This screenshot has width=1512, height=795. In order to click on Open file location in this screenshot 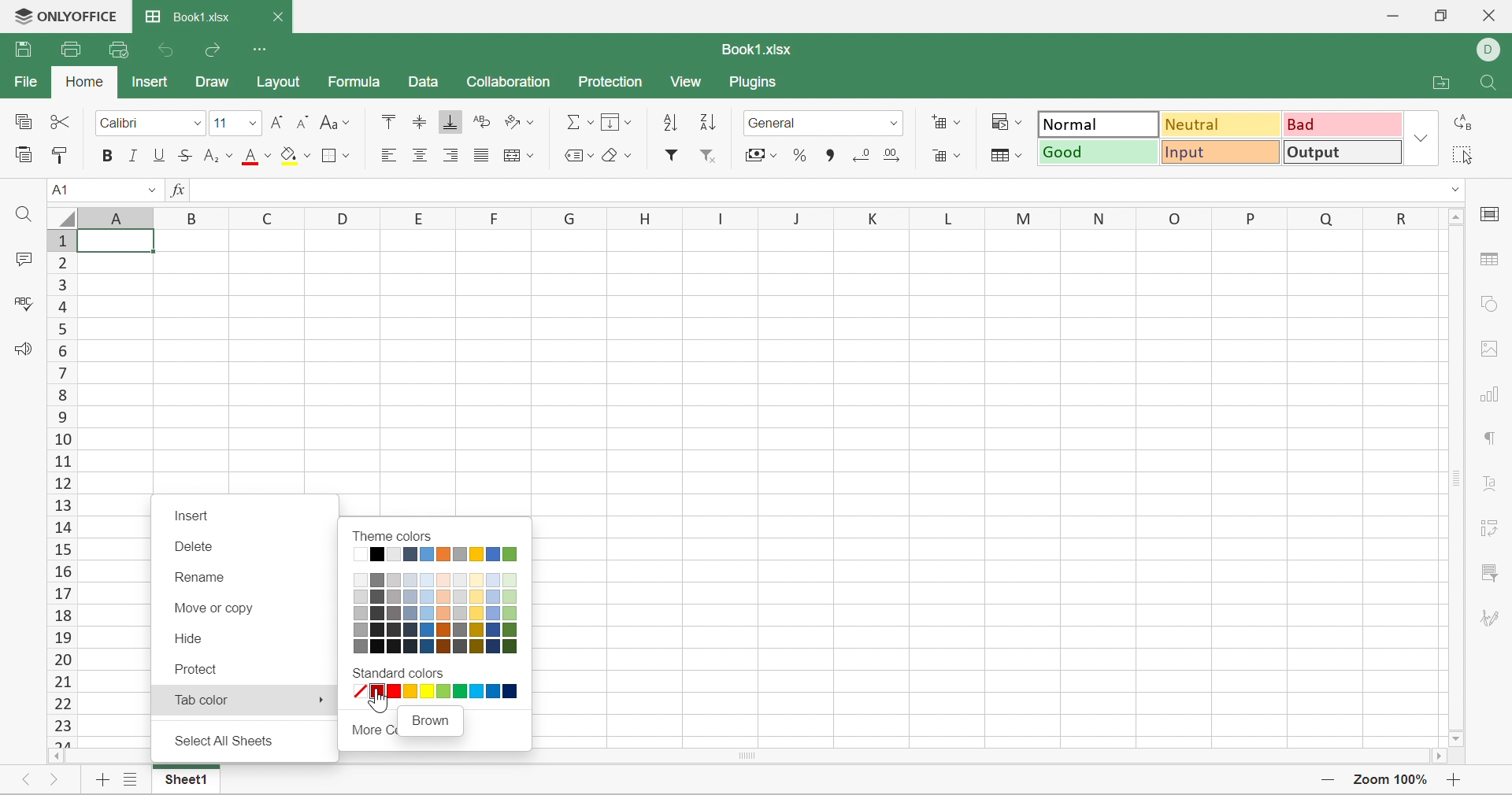, I will do `click(1440, 83)`.